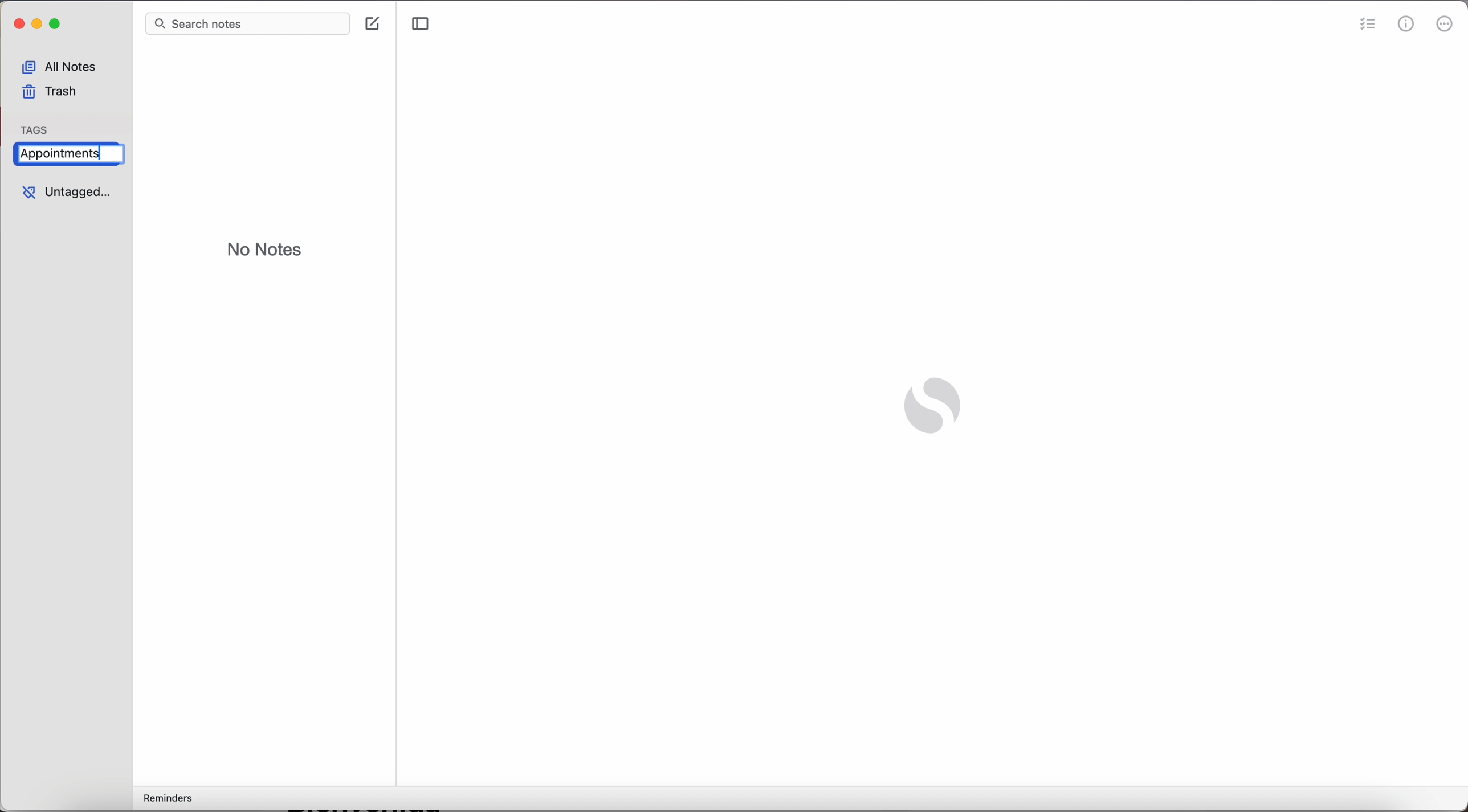 The image size is (1468, 812). I want to click on new tag: appointments, so click(63, 155).